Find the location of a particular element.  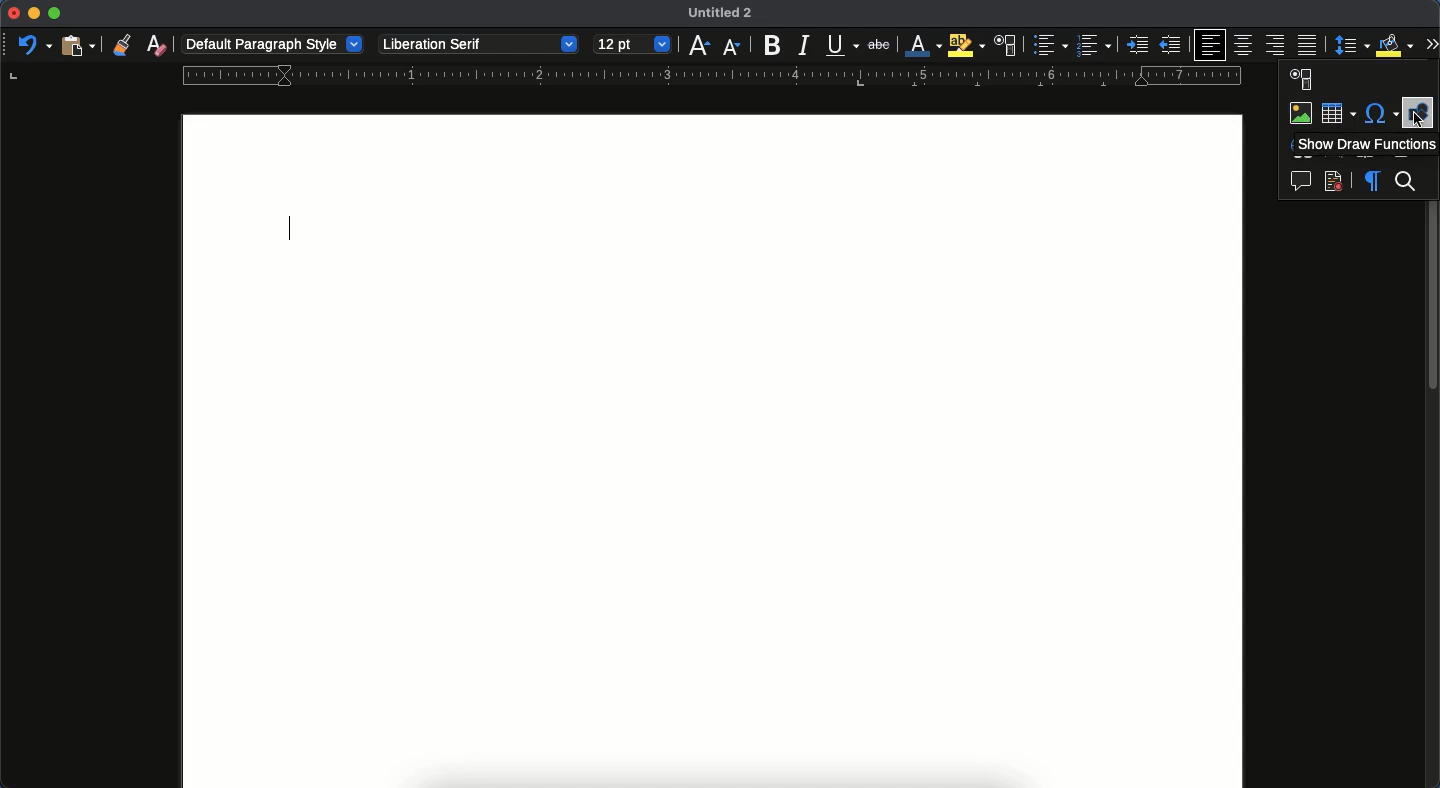

paragraph is located at coordinates (1372, 182).